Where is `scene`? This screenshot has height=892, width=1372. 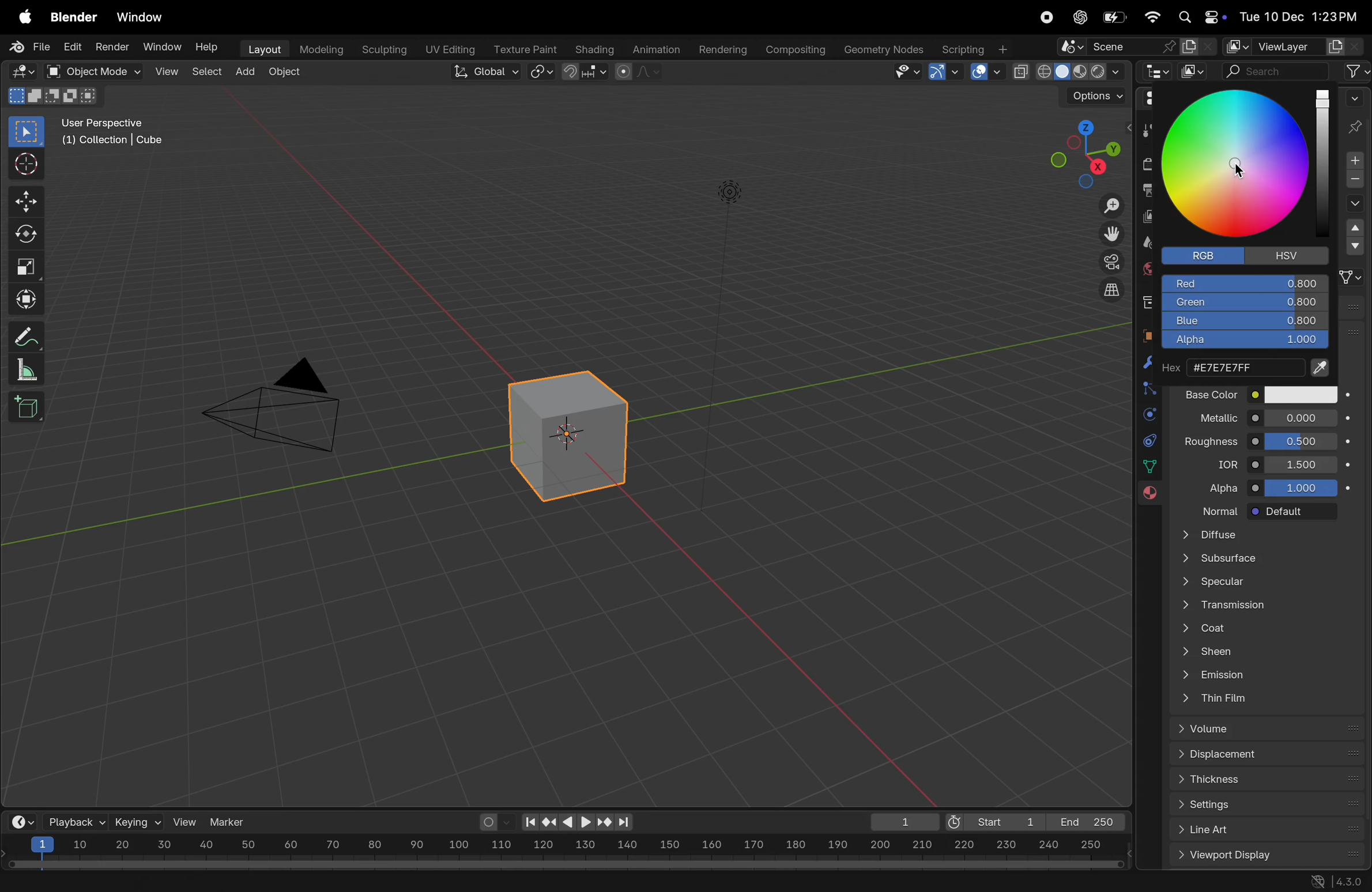
scene is located at coordinates (1137, 47).